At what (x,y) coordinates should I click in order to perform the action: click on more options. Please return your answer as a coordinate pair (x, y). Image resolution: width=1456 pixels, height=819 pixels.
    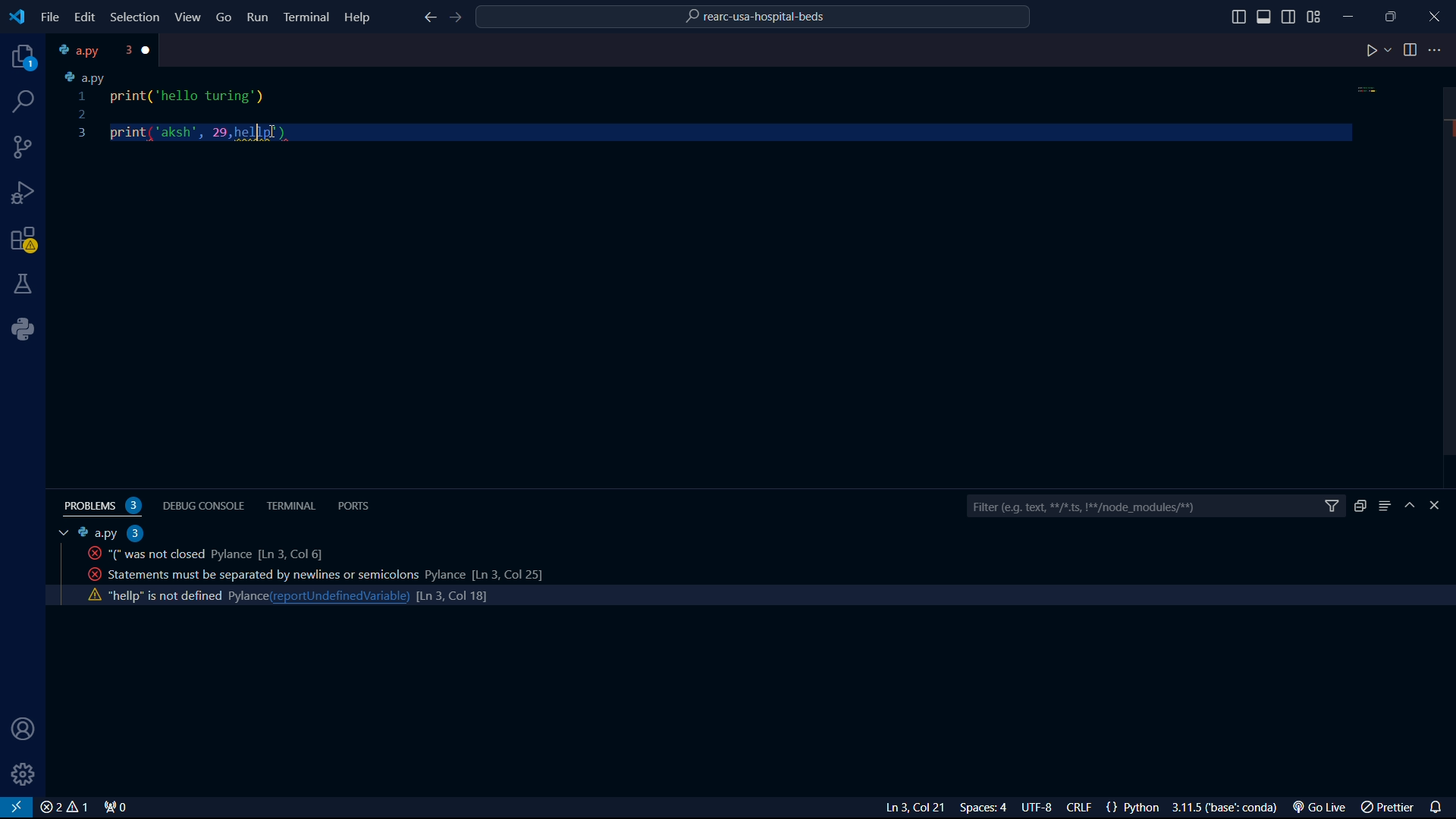
    Looking at the image, I should click on (1437, 50).